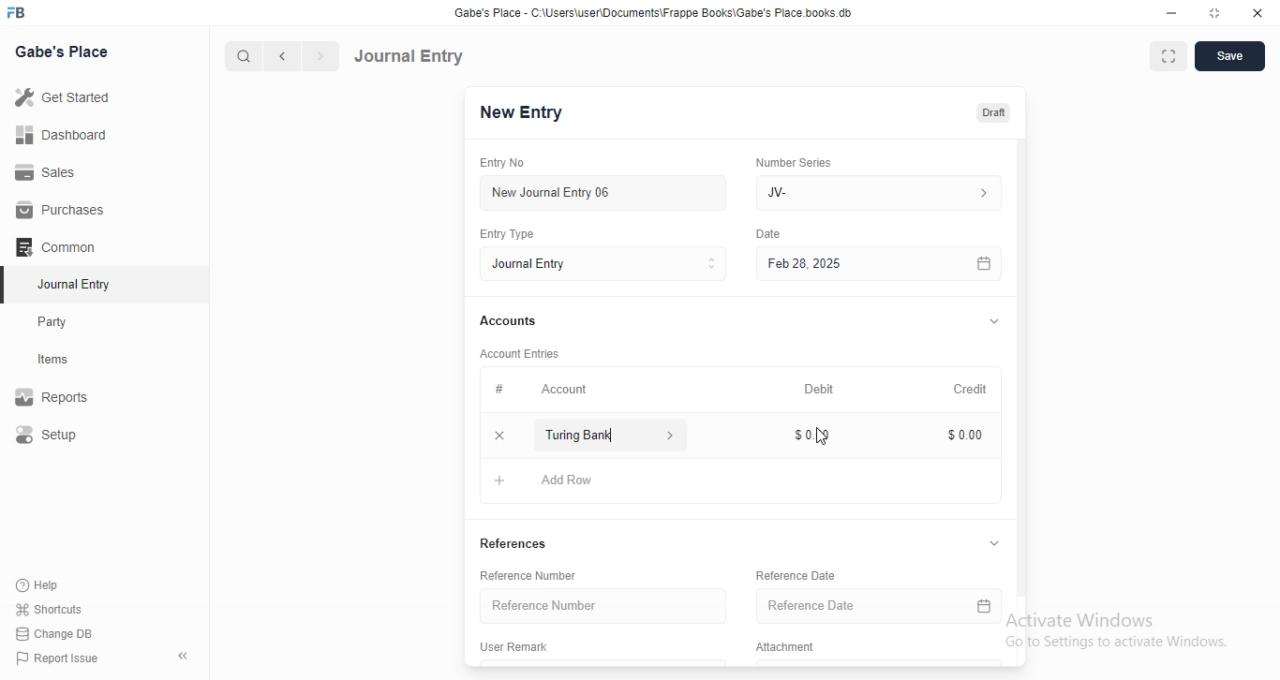 The image size is (1280, 680). What do you see at coordinates (410, 55) in the screenshot?
I see `Journal Entry` at bounding box center [410, 55].